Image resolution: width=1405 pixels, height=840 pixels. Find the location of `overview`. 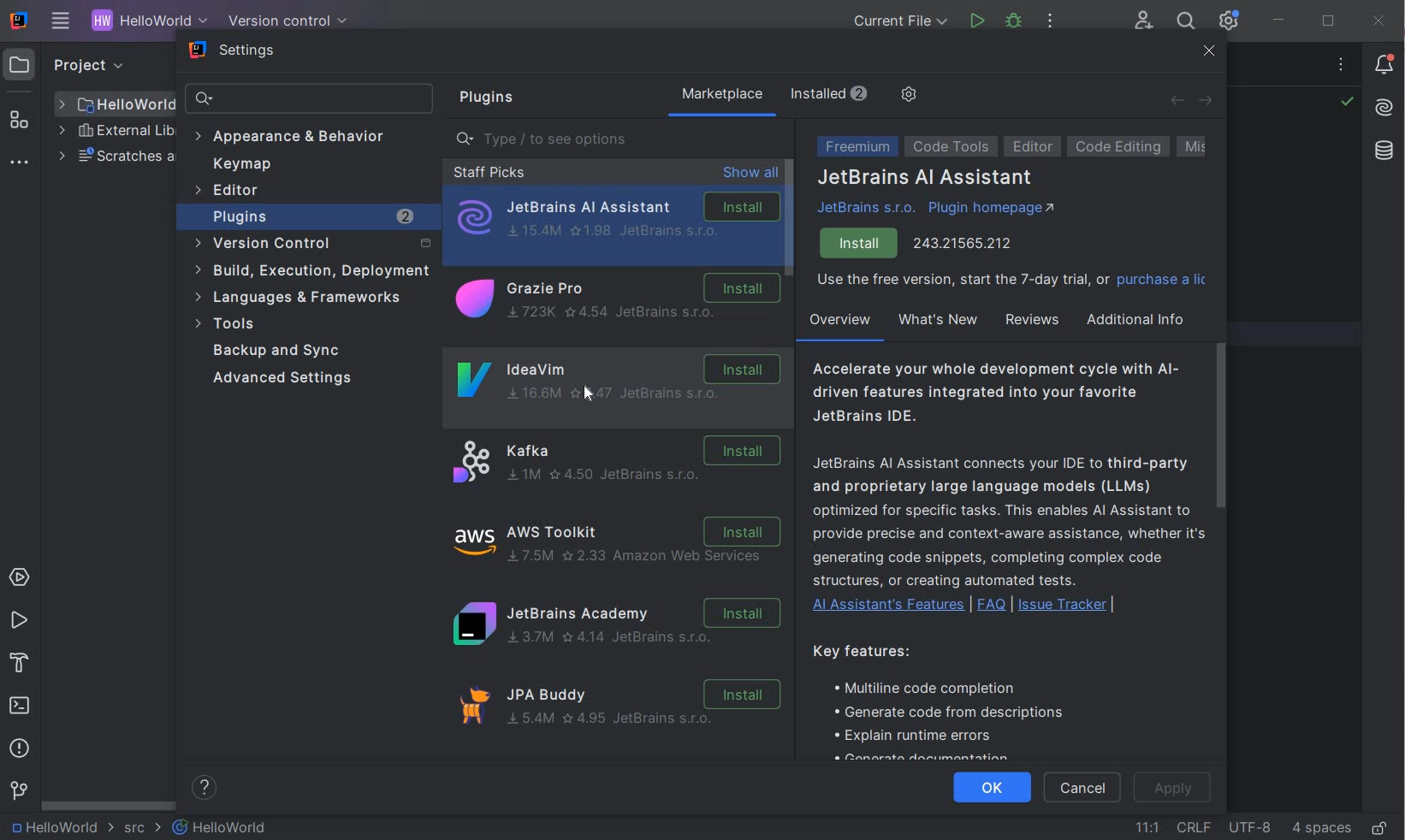

overview is located at coordinates (839, 323).